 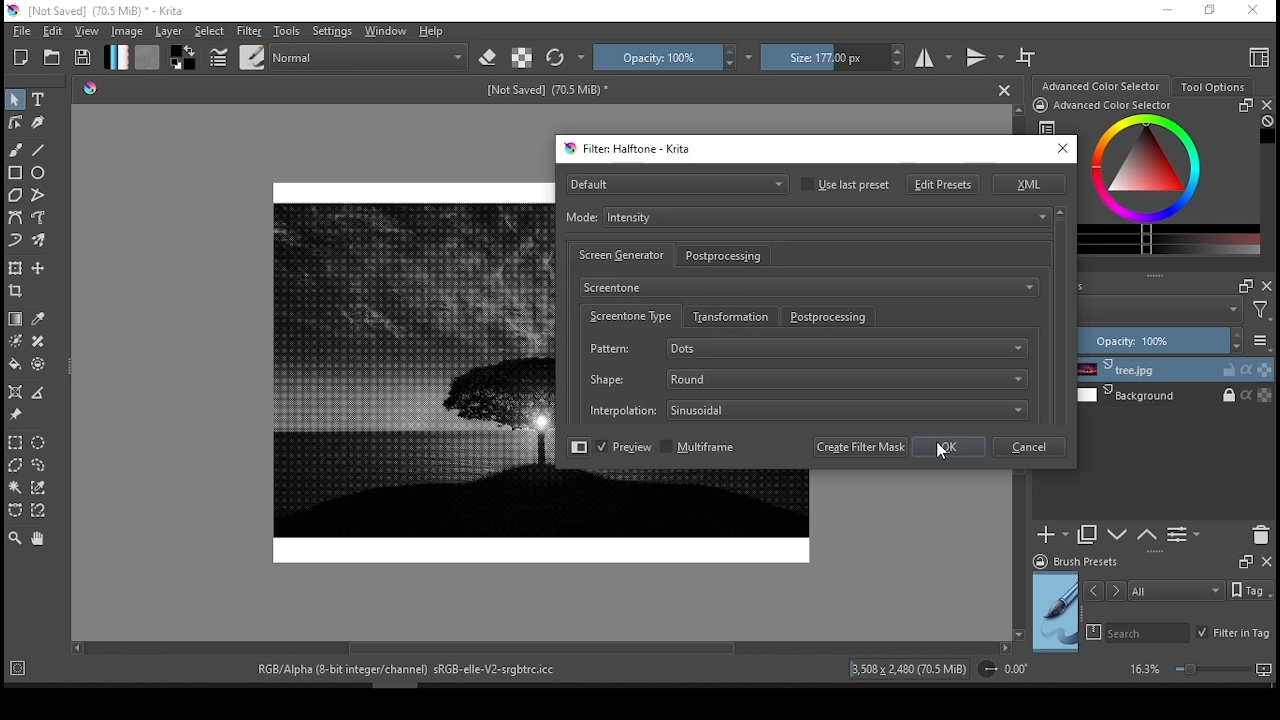 What do you see at coordinates (250, 30) in the screenshot?
I see `filter` at bounding box center [250, 30].